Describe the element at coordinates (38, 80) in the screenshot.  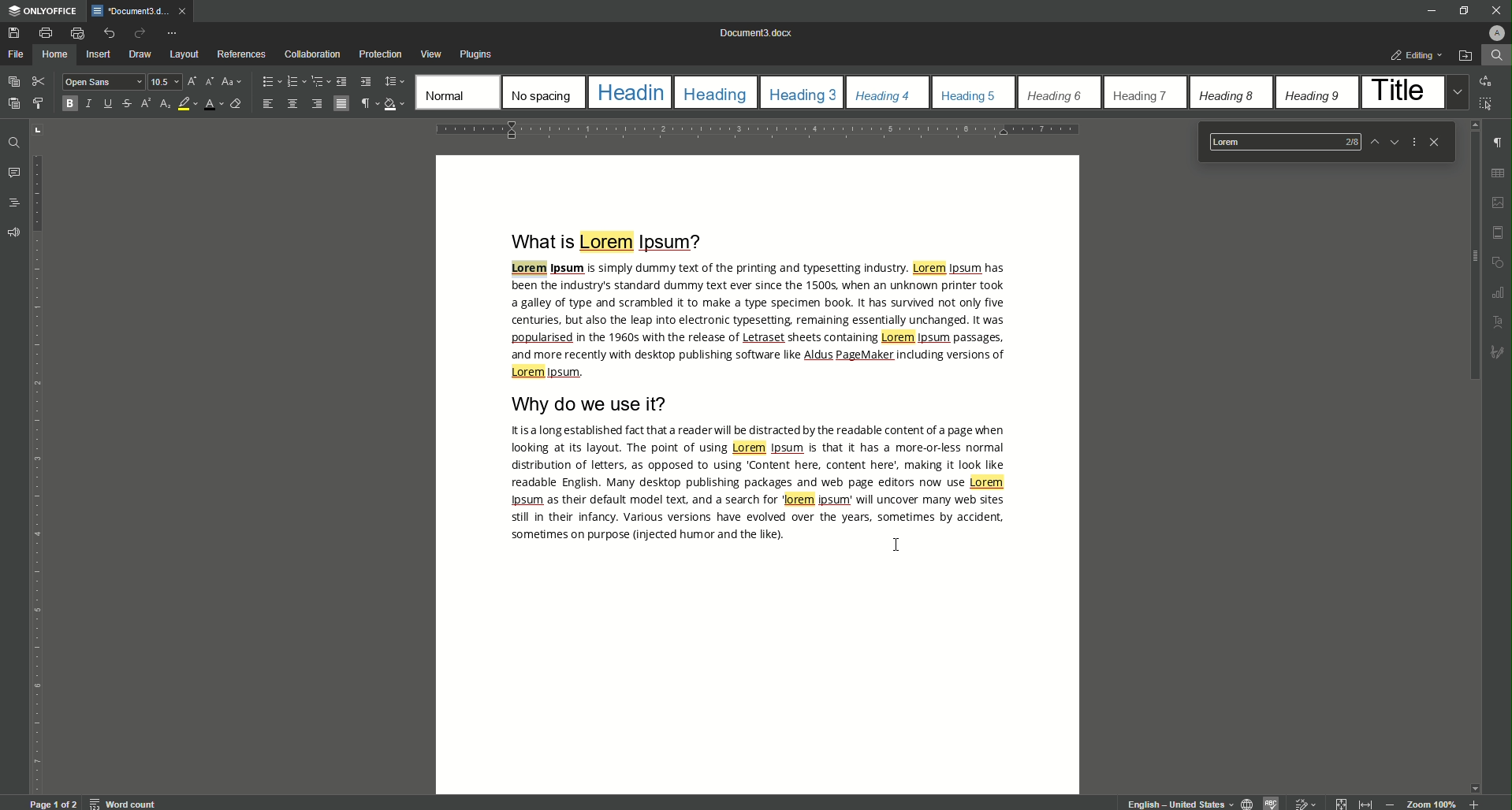
I see `Cut` at that location.